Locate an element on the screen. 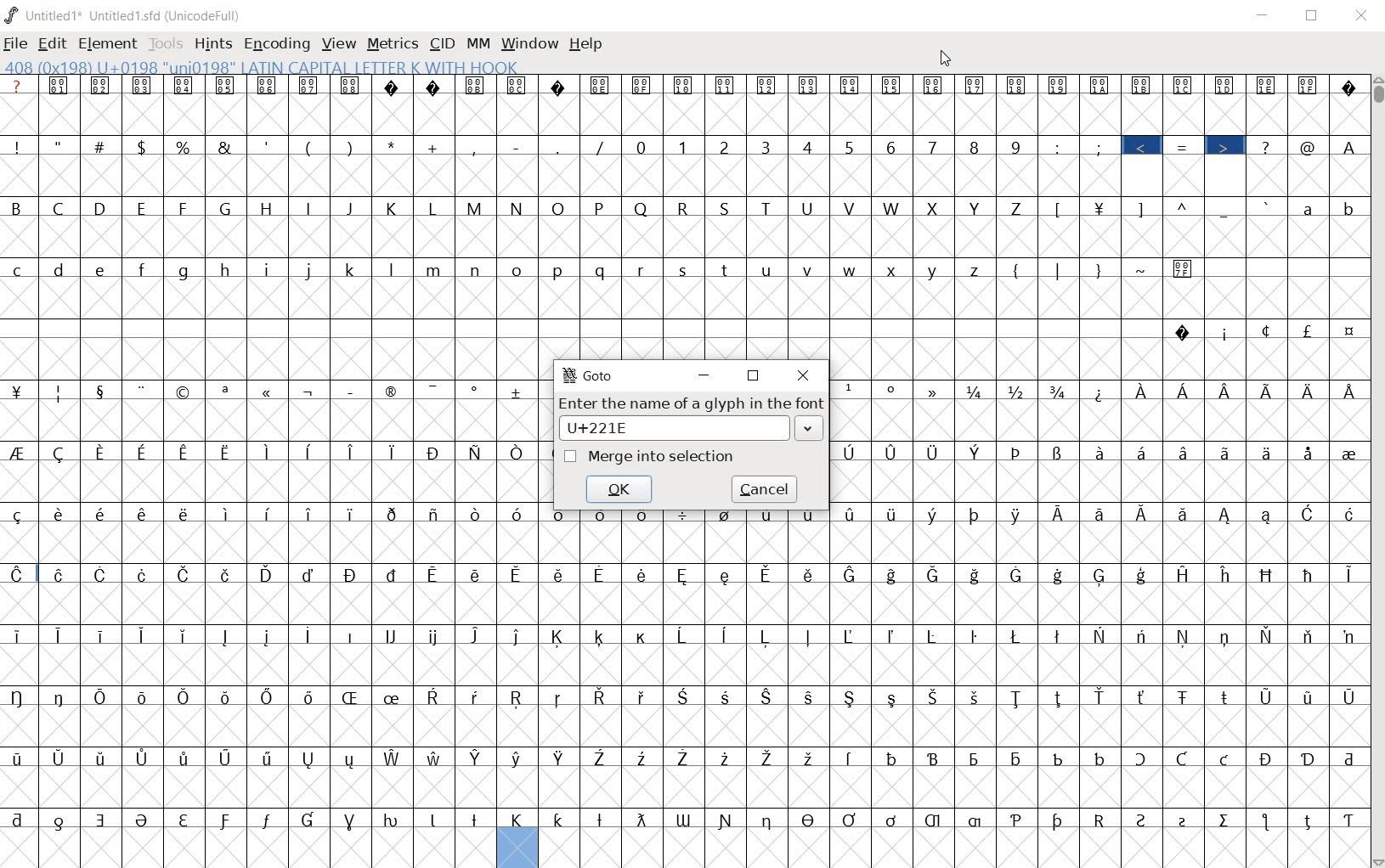 The image size is (1385, 868). Untitled1 Untitled1.sfd (UnicodeFull) is located at coordinates (128, 17).